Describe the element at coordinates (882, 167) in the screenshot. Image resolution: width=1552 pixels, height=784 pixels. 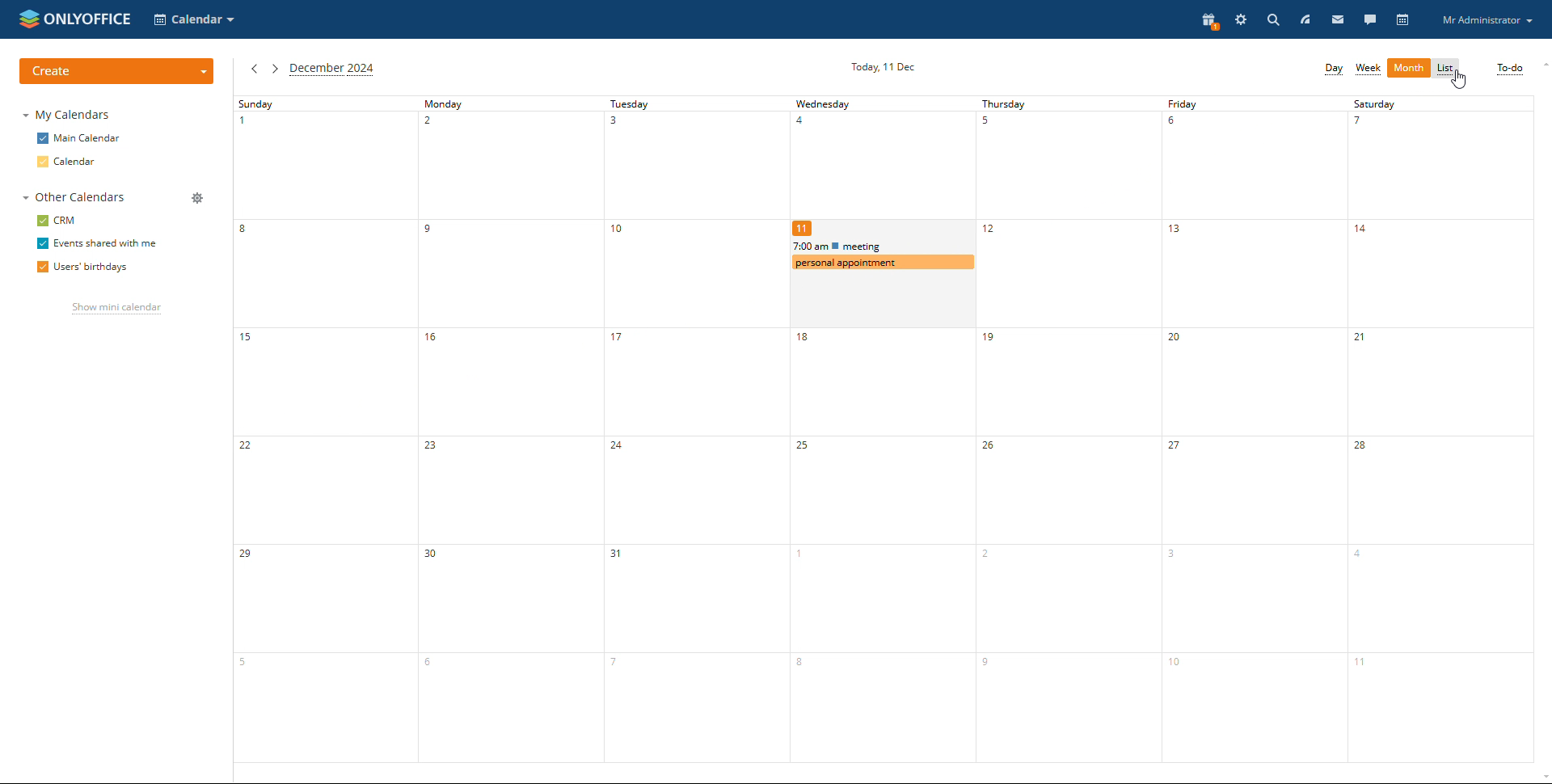
I see `calender` at that location.